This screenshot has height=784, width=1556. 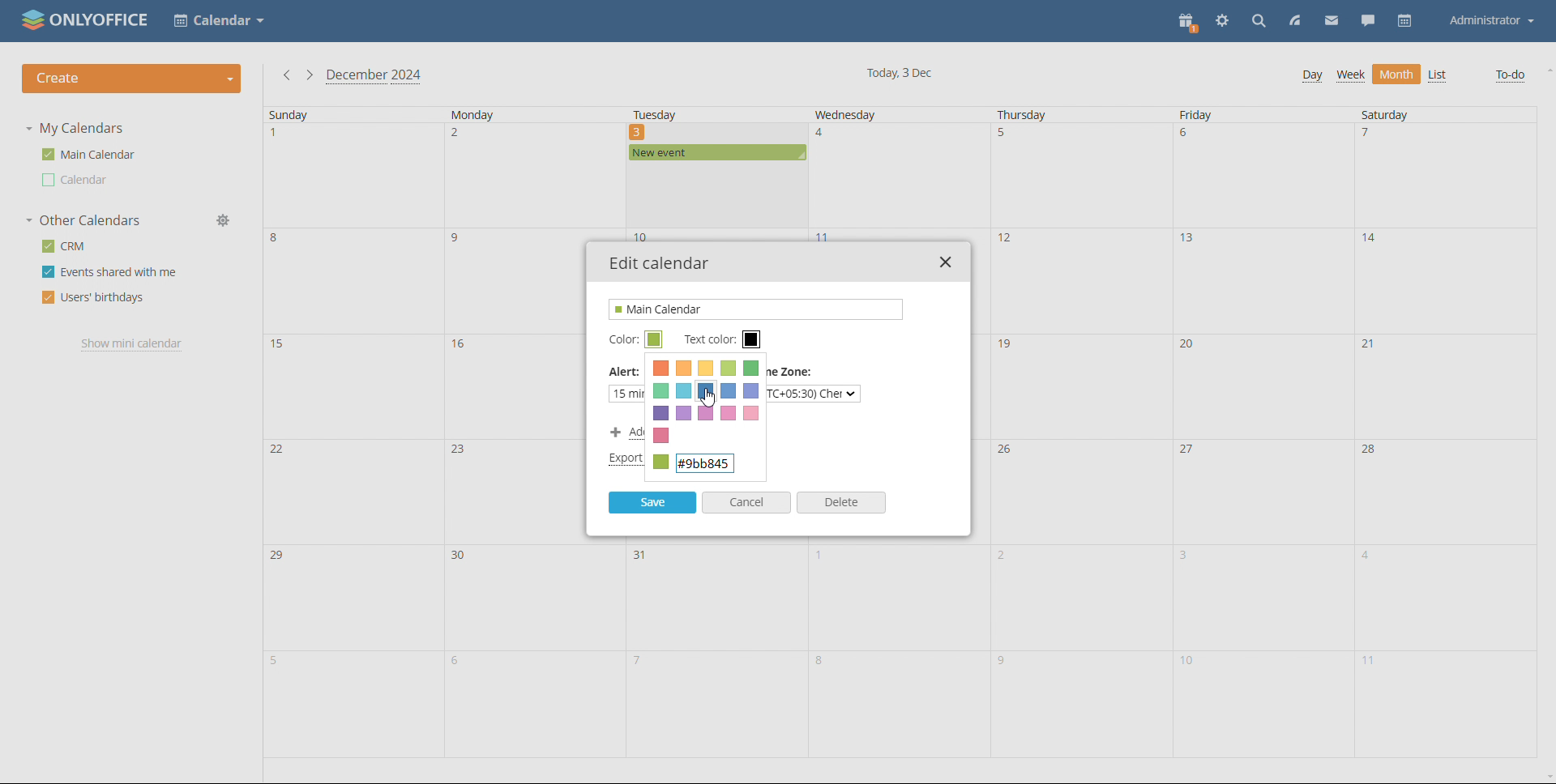 What do you see at coordinates (1079, 488) in the screenshot?
I see `adte` at bounding box center [1079, 488].